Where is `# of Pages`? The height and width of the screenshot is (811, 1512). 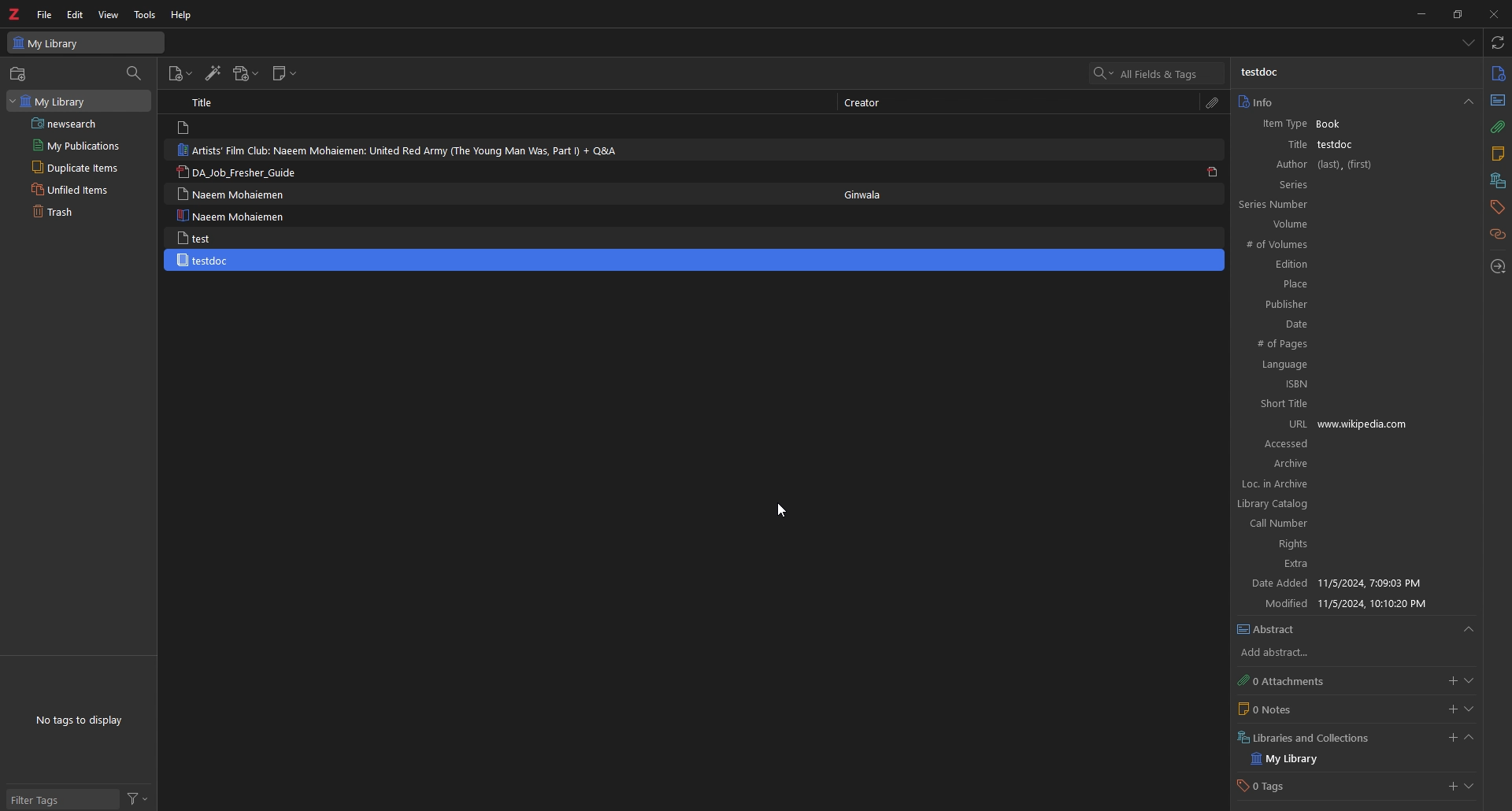 # of Pages is located at coordinates (1332, 344).